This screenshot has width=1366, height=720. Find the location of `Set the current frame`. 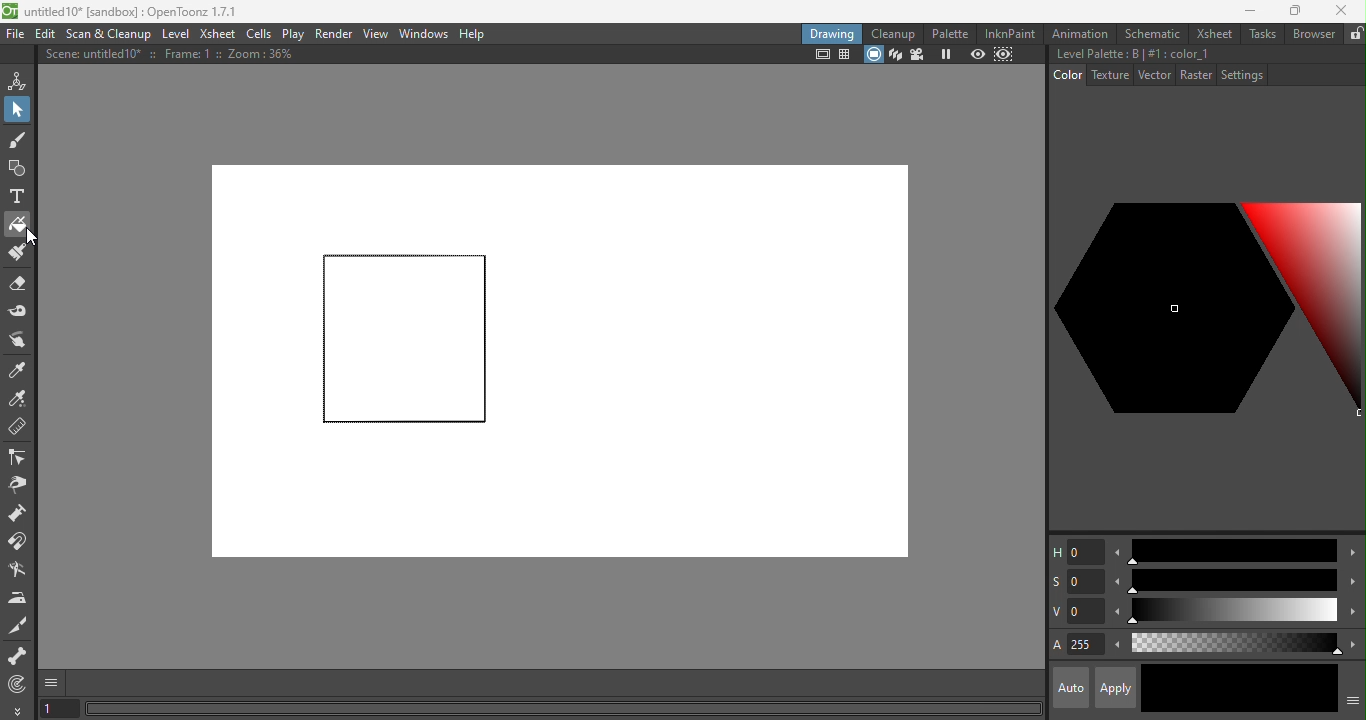

Set the current frame is located at coordinates (59, 710).